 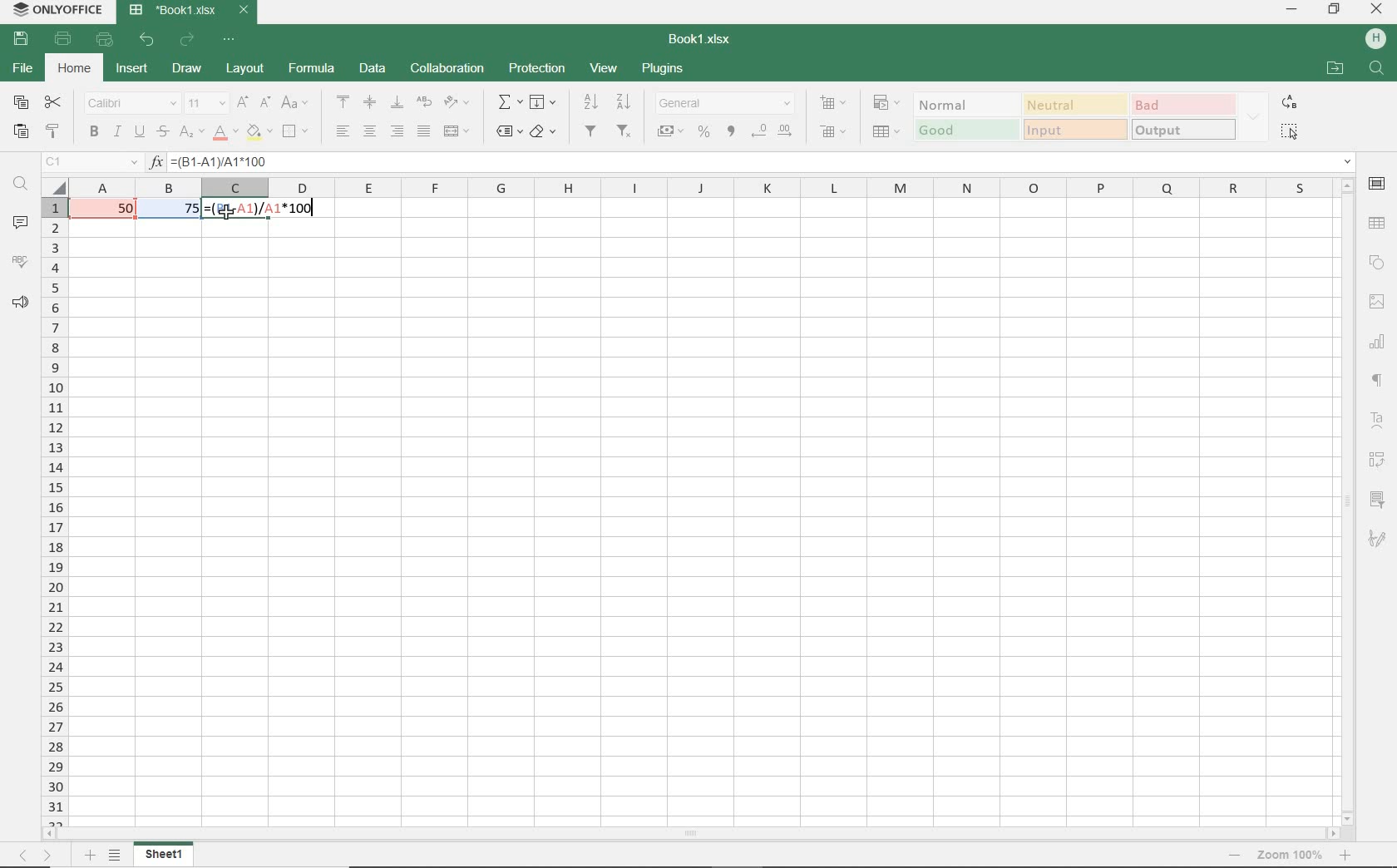 I want to click on zoom, so click(x=1287, y=856).